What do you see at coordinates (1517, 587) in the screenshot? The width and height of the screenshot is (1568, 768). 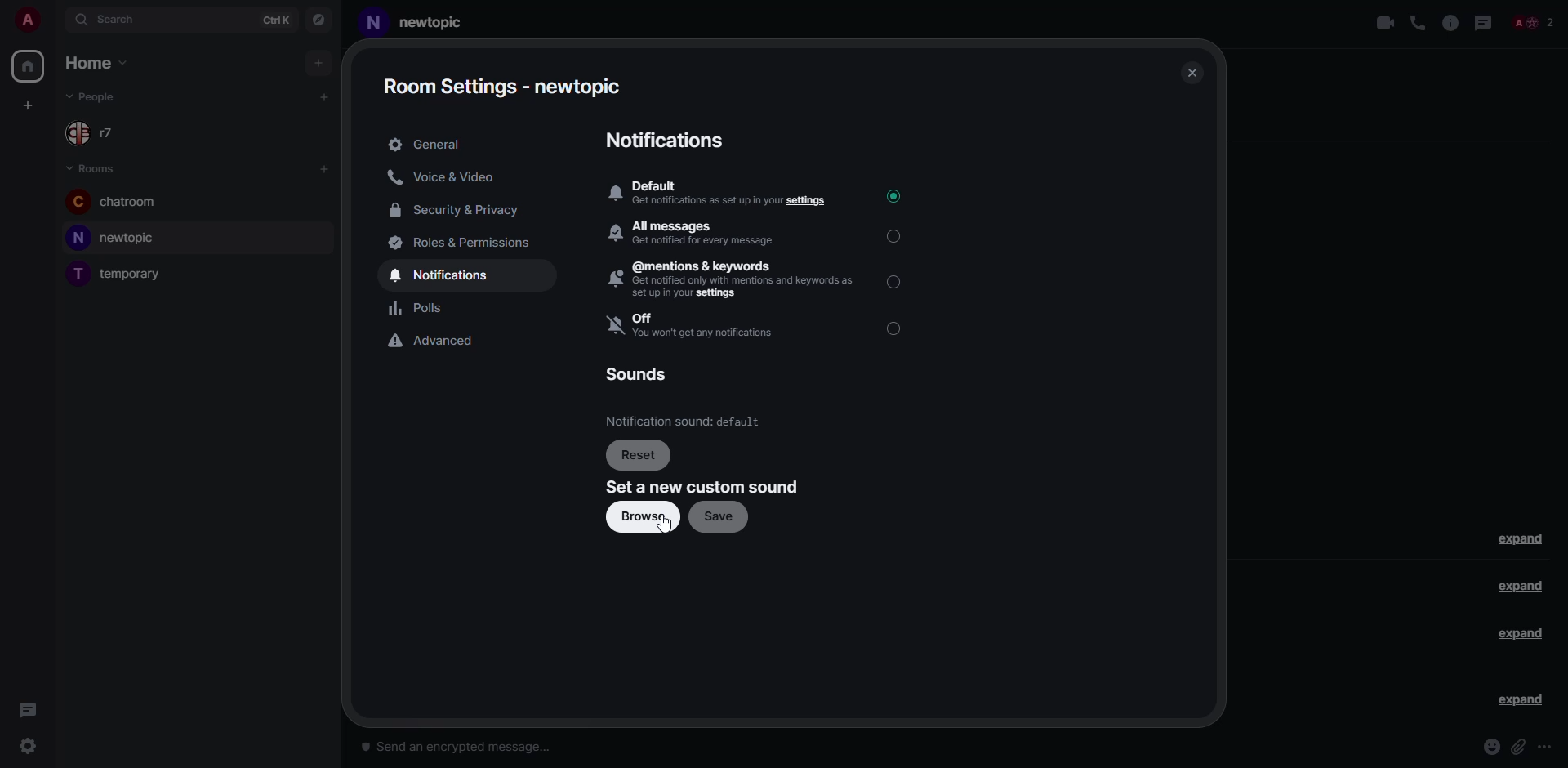 I see `expand` at bounding box center [1517, 587].